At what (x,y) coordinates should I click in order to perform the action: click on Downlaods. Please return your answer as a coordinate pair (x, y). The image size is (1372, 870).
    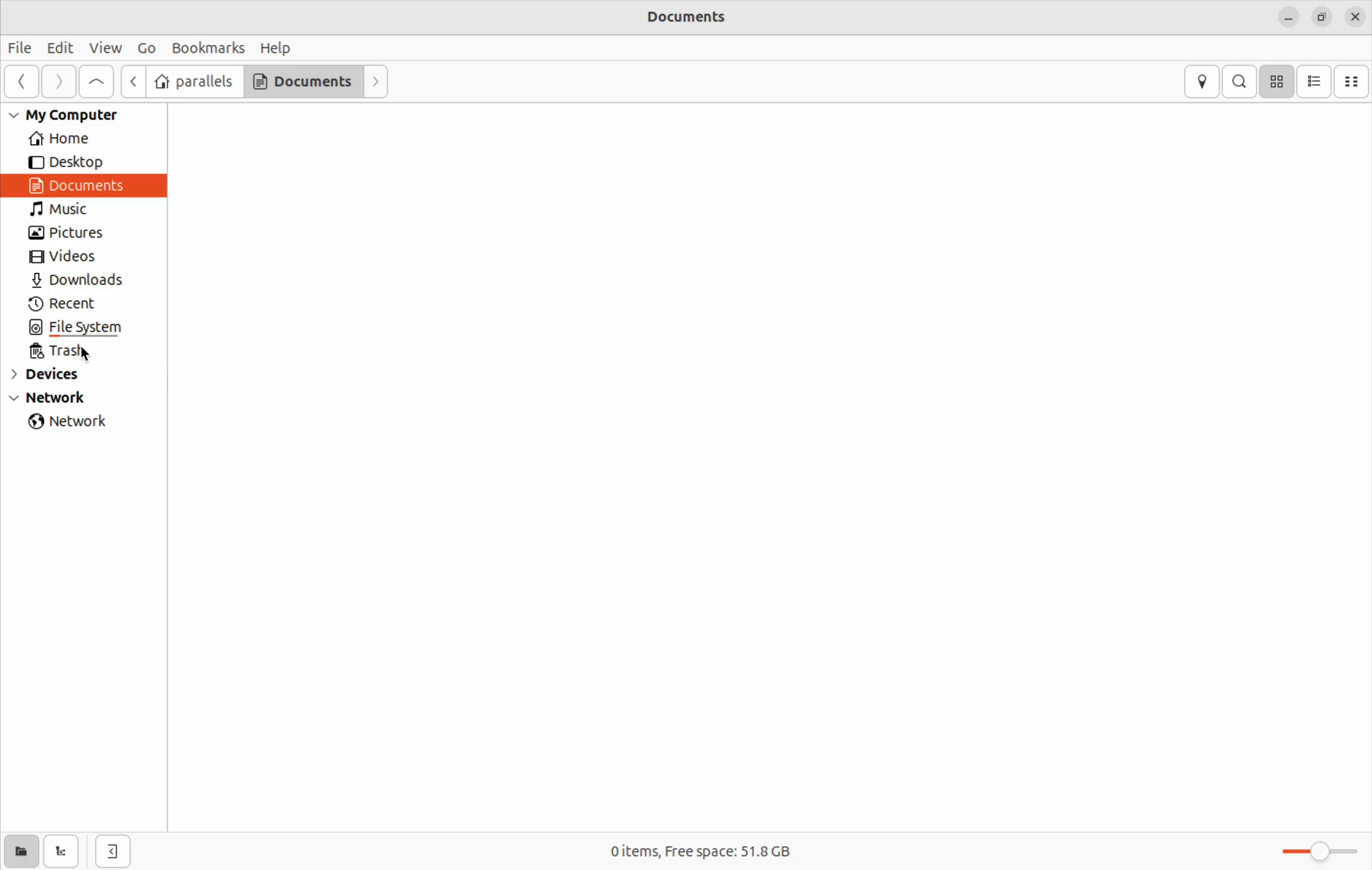
    Looking at the image, I should click on (81, 281).